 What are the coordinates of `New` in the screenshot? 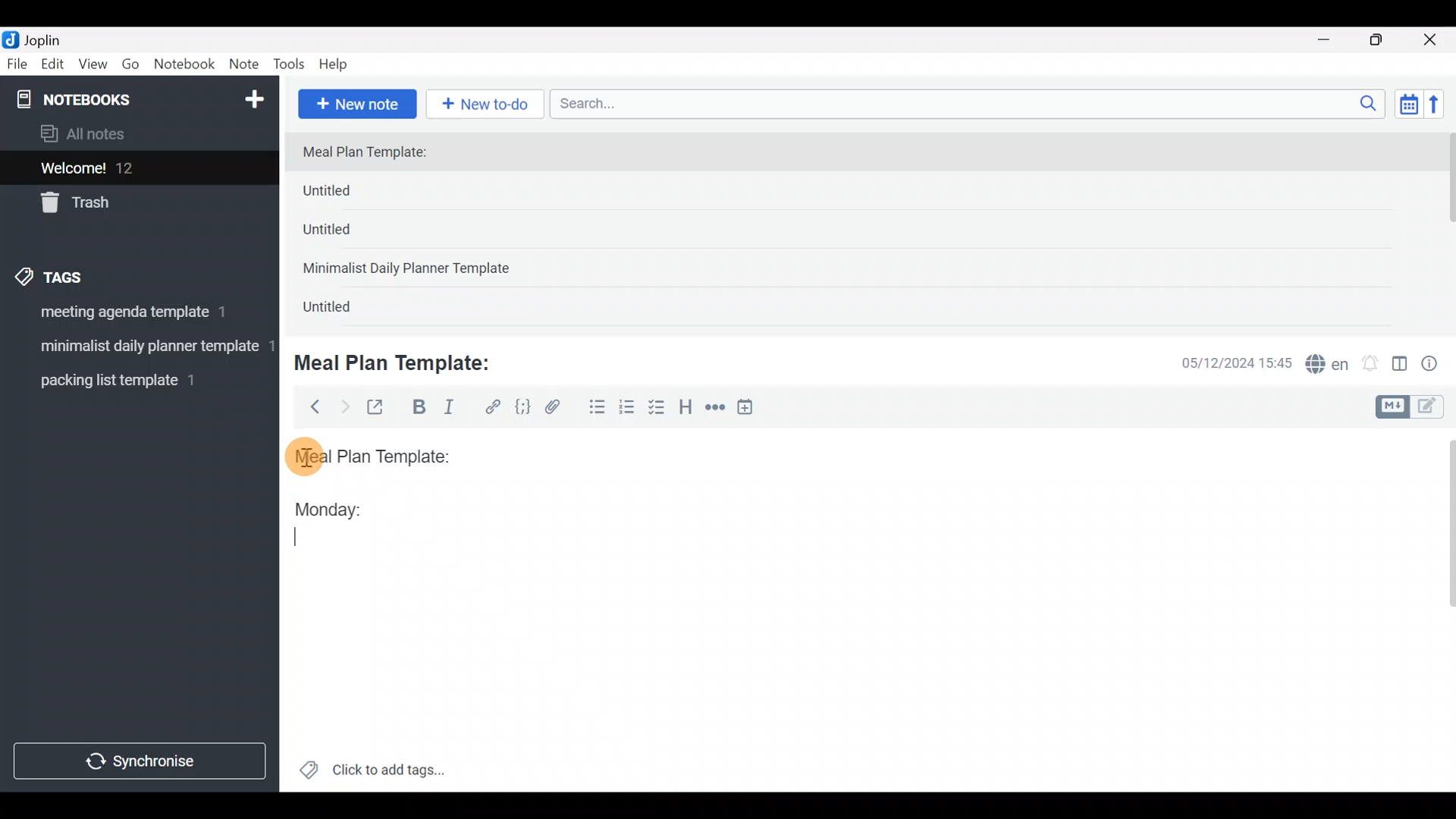 It's located at (253, 96).